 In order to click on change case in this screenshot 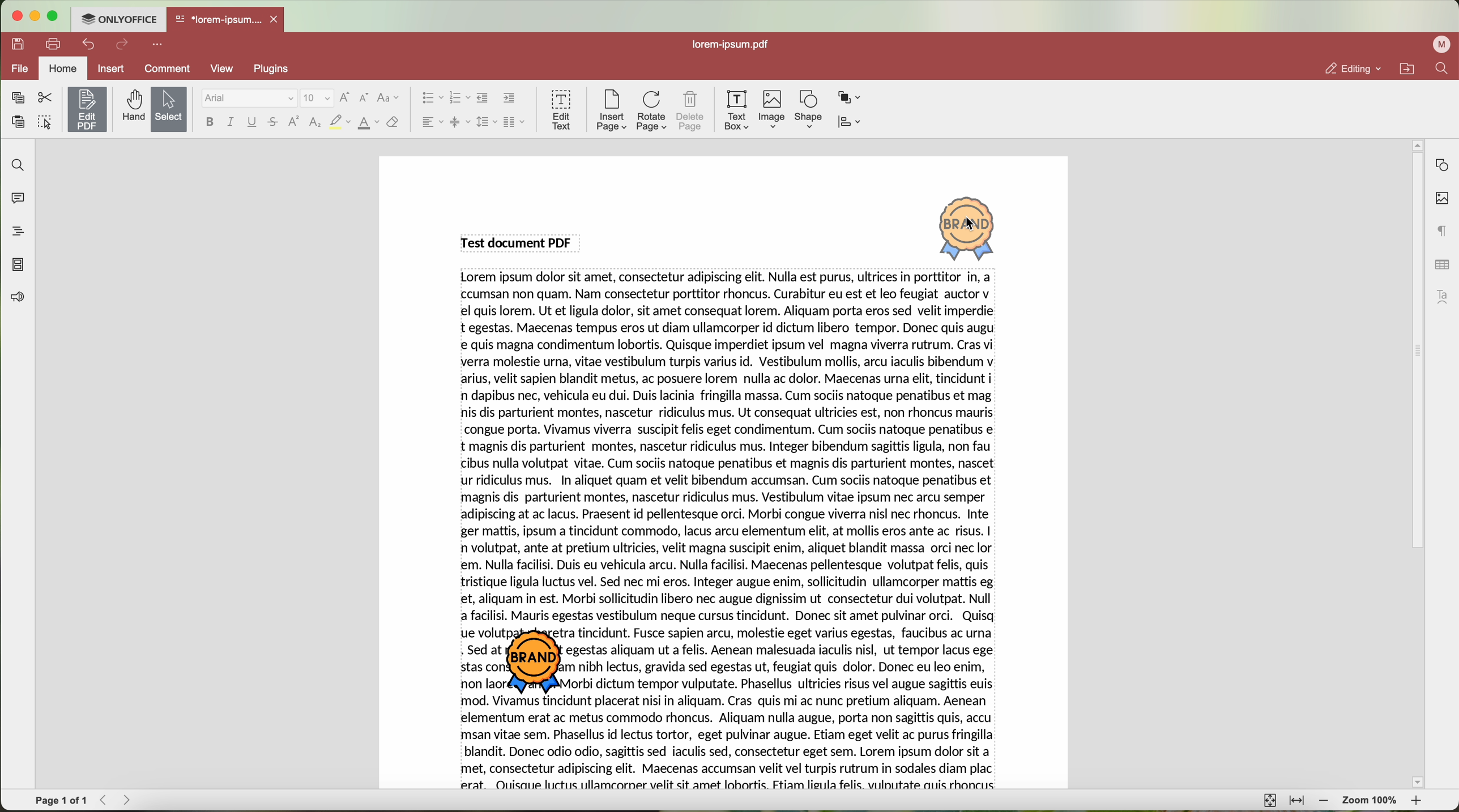, I will do `click(388, 98)`.